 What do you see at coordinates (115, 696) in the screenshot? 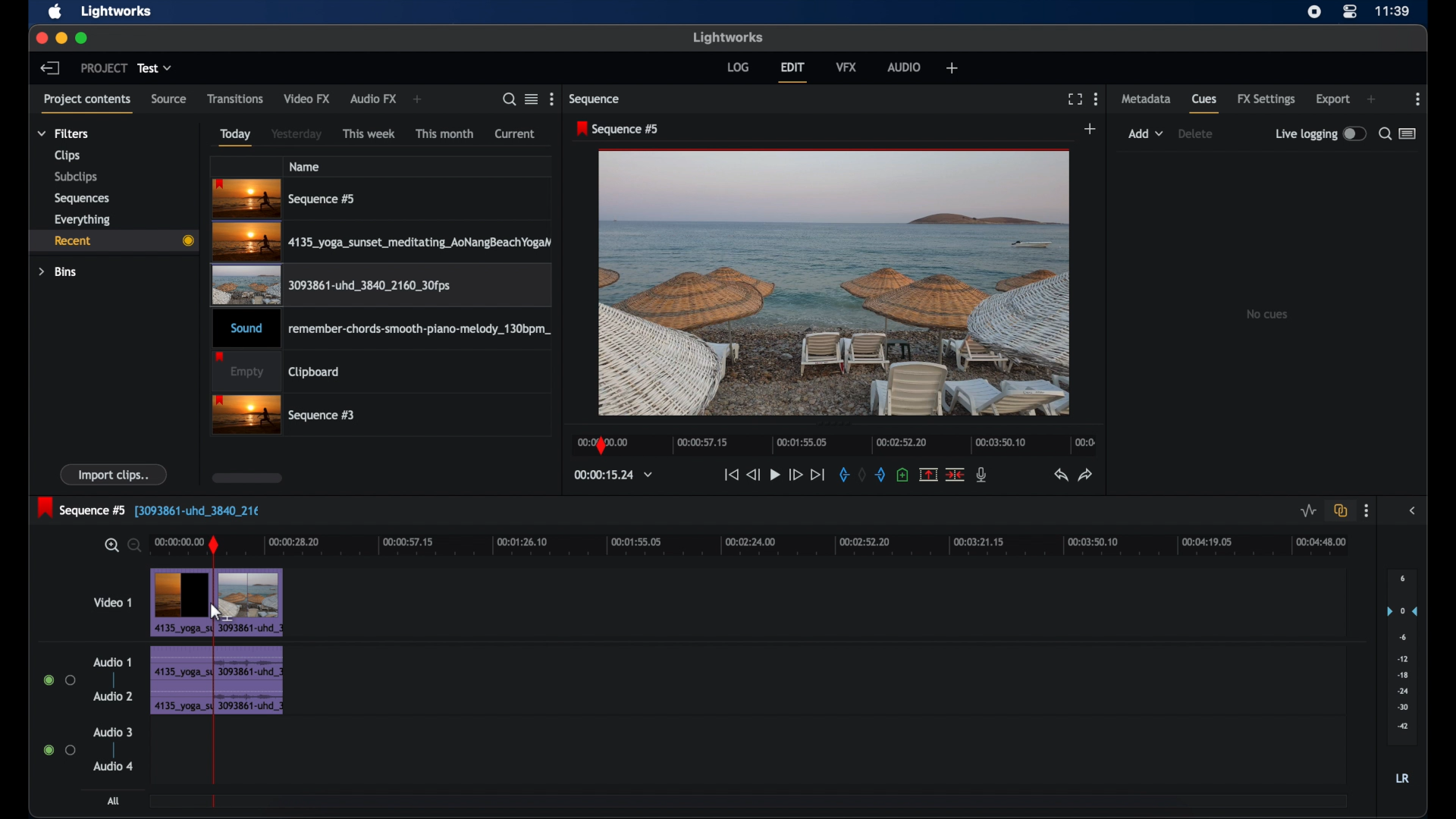
I see `audio 2` at bounding box center [115, 696].